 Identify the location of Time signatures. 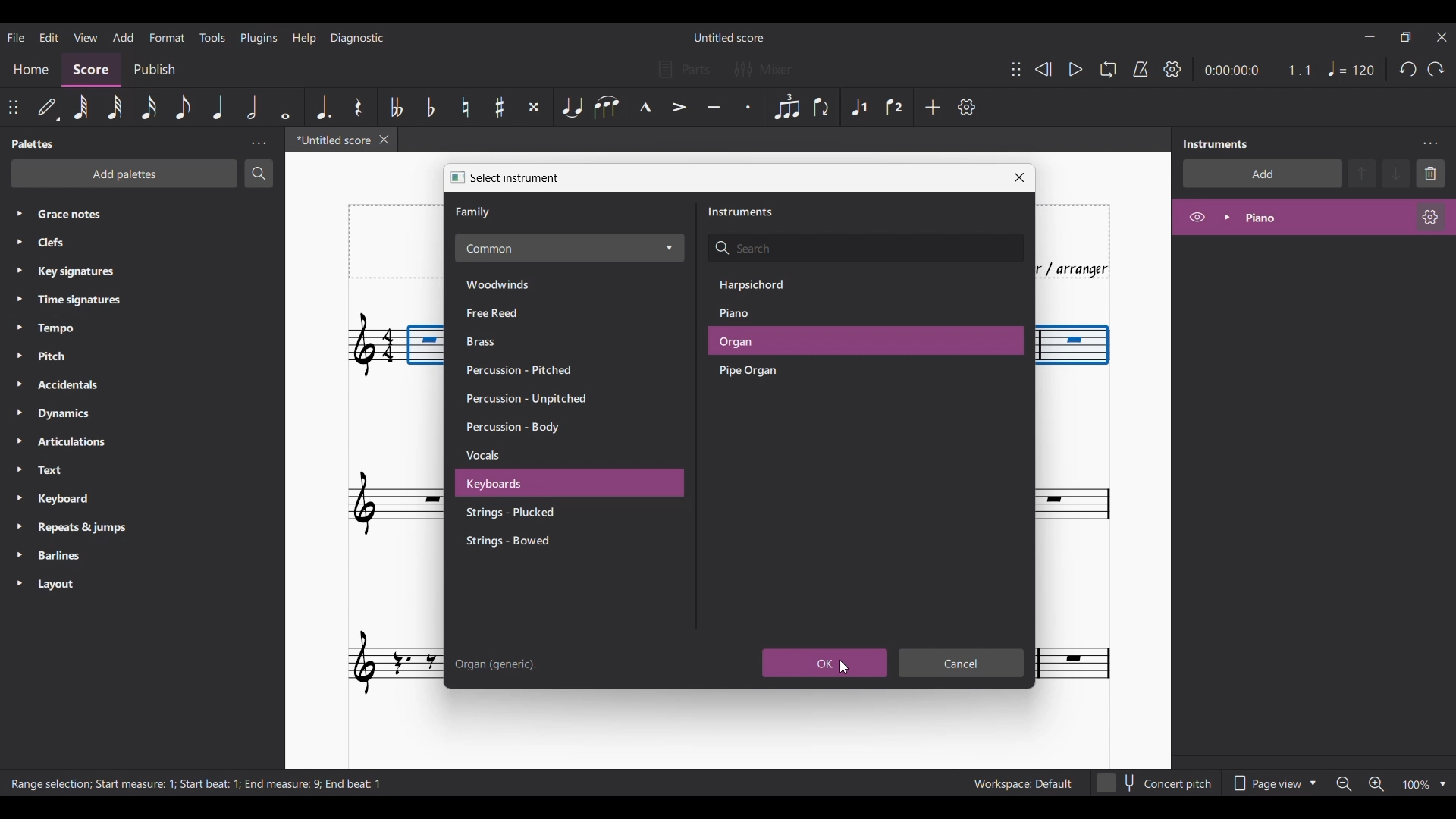
(93, 299).